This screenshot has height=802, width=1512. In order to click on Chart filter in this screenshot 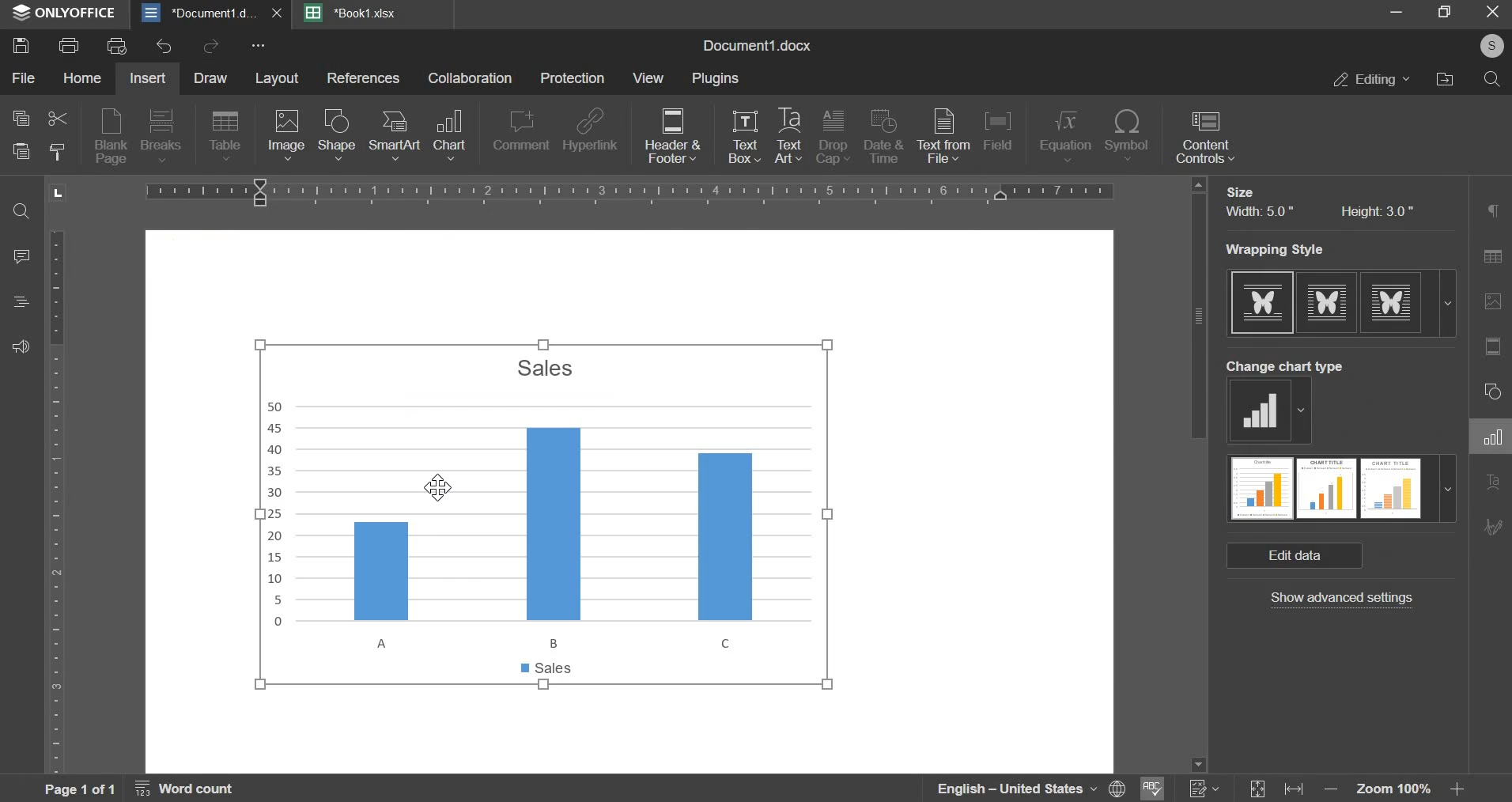, I will do `click(1492, 572)`.